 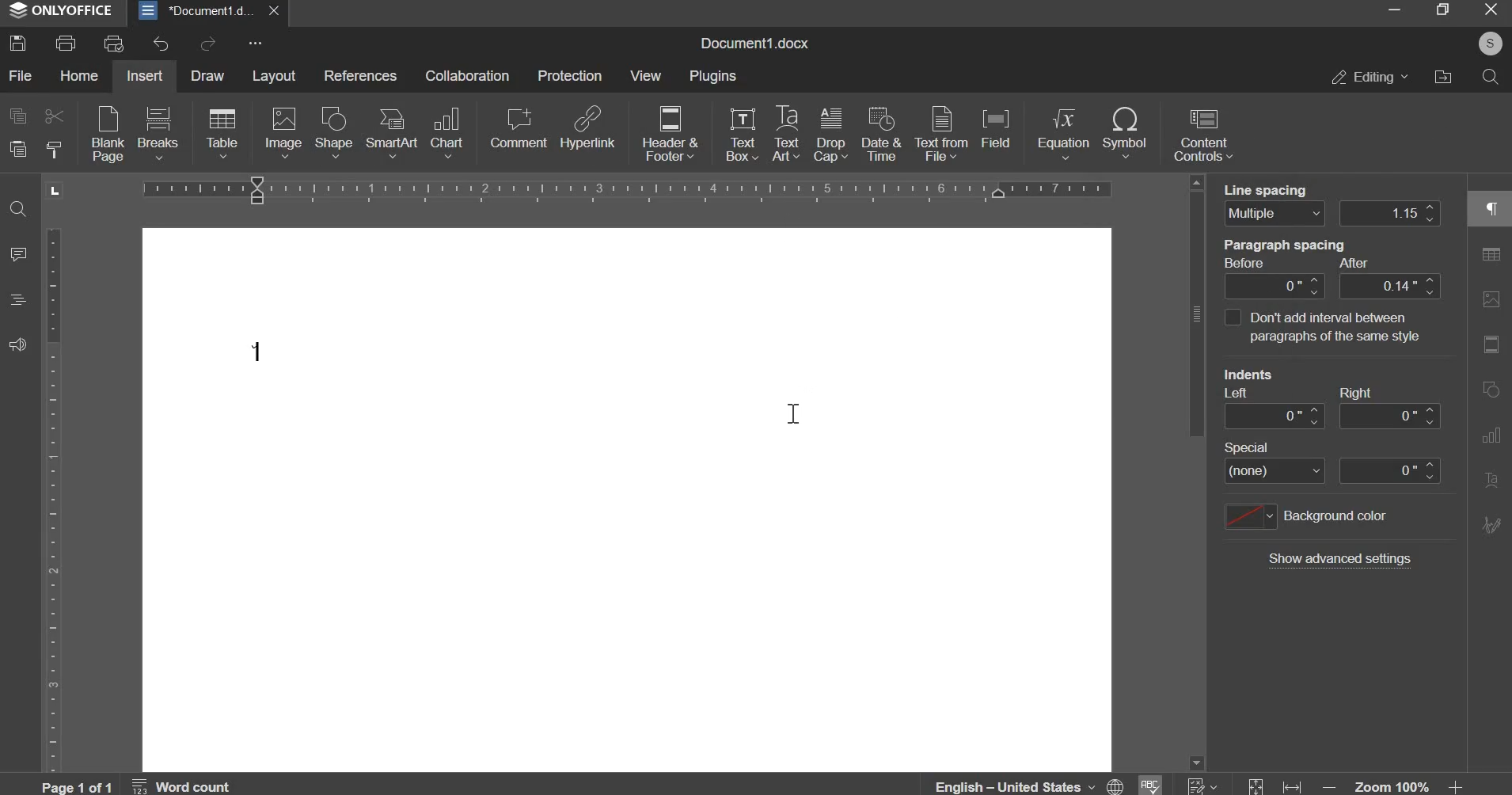 What do you see at coordinates (197, 10) in the screenshot?
I see `document1.docx` at bounding box center [197, 10].